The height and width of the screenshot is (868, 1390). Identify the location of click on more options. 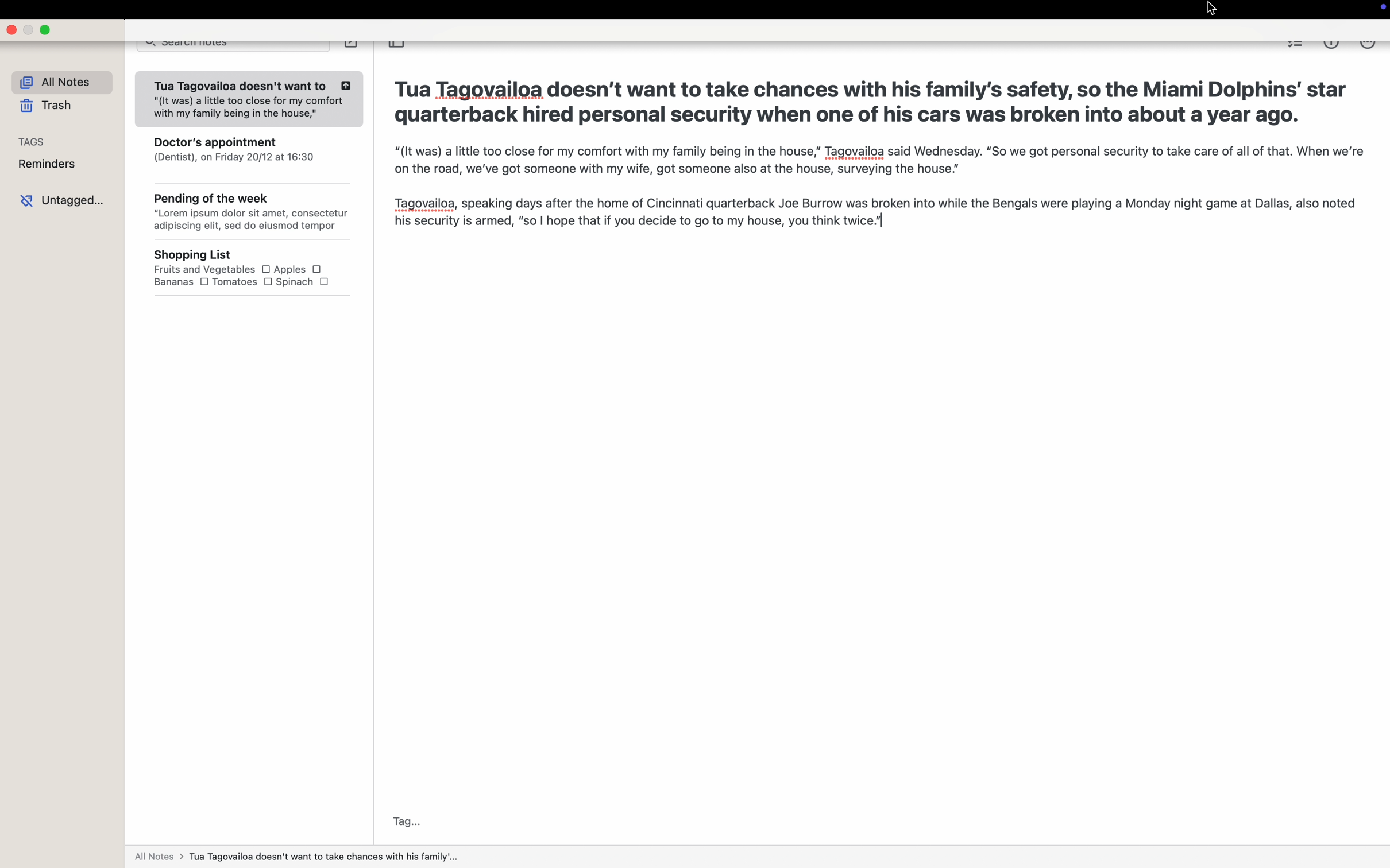
(1371, 42).